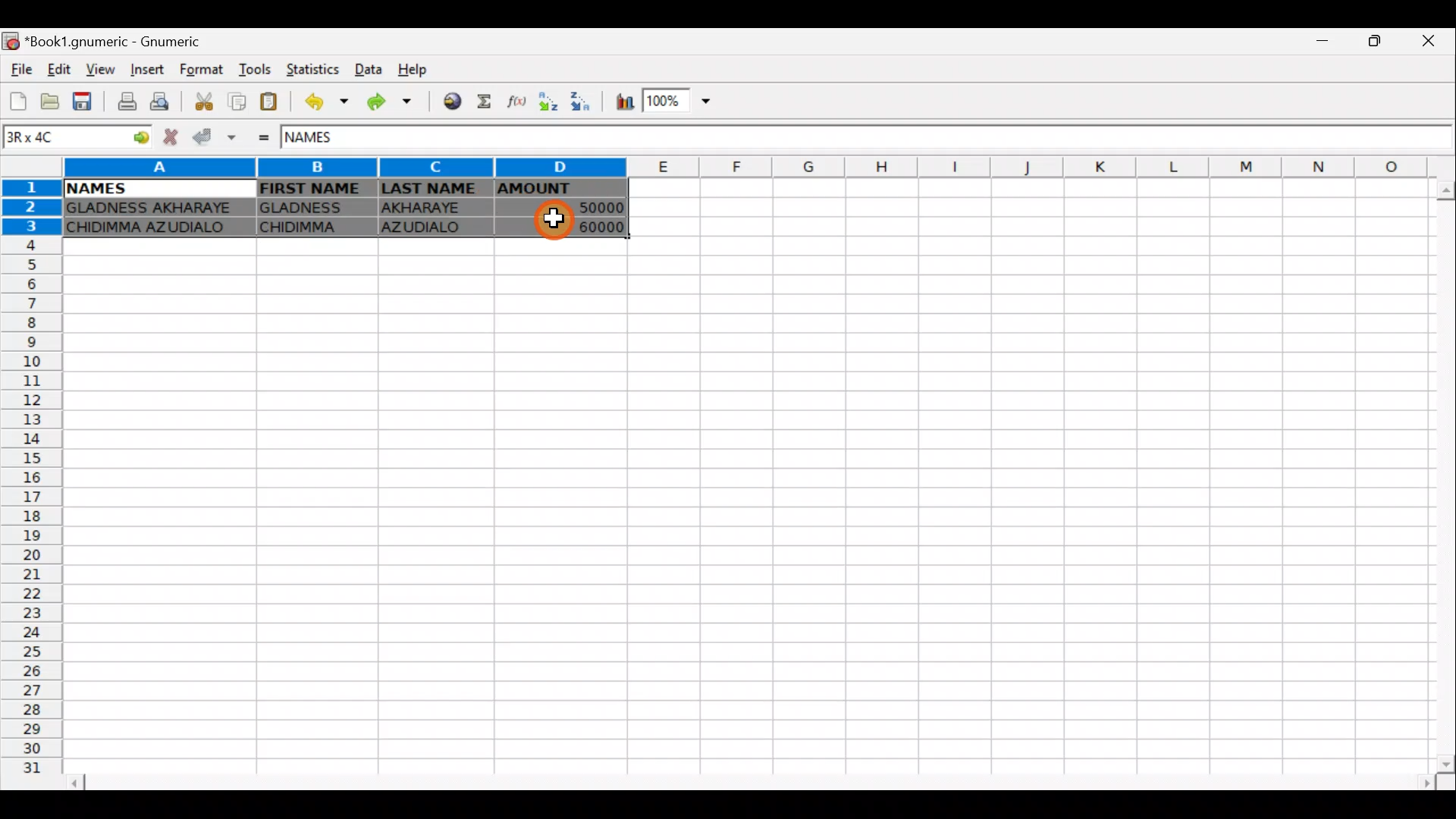 The width and height of the screenshot is (1456, 819). I want to click on Undo last action, so click(328, 102).